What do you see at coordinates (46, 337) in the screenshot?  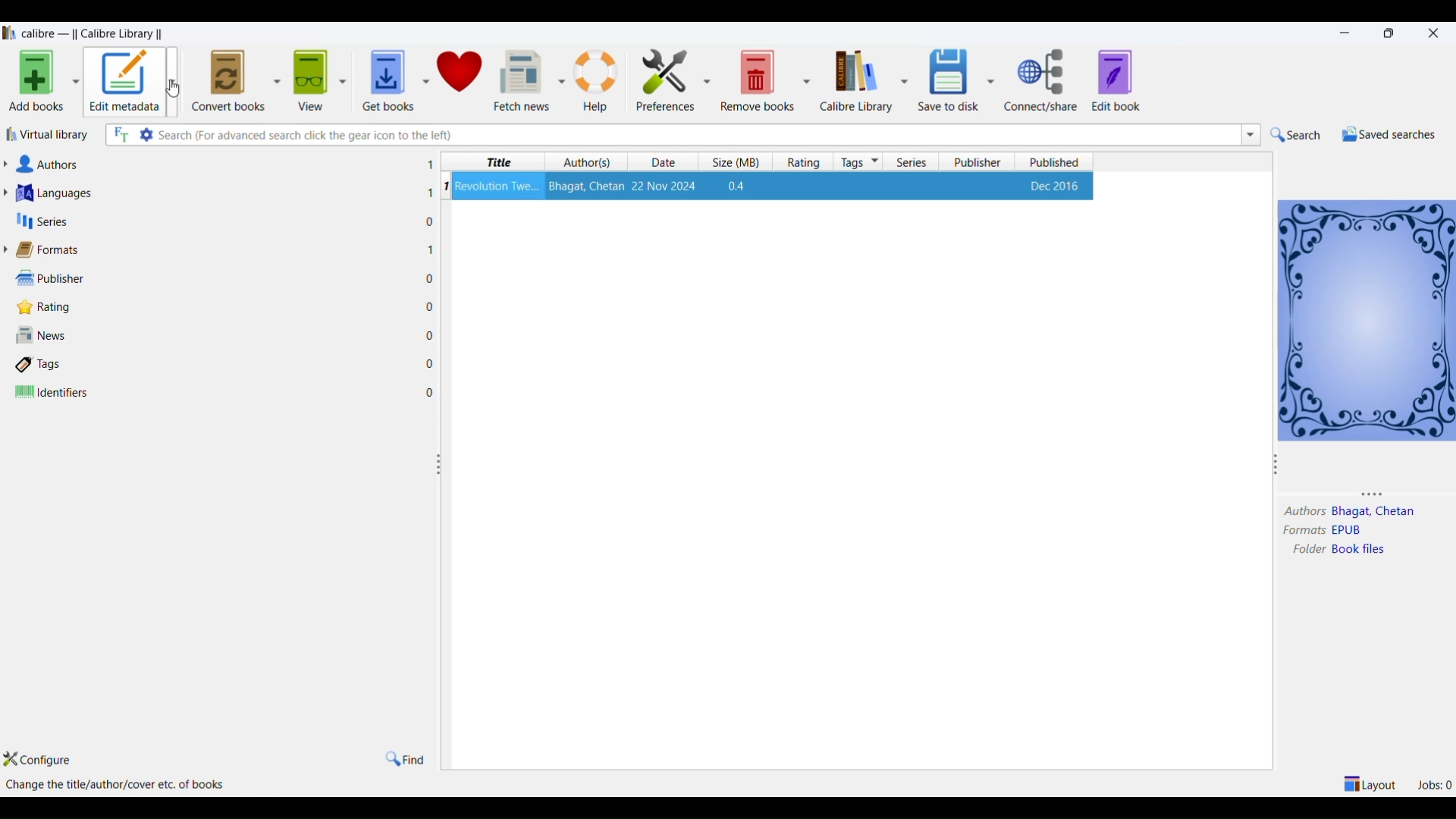 I see `news and number of news` at bounding box center [46, 337].